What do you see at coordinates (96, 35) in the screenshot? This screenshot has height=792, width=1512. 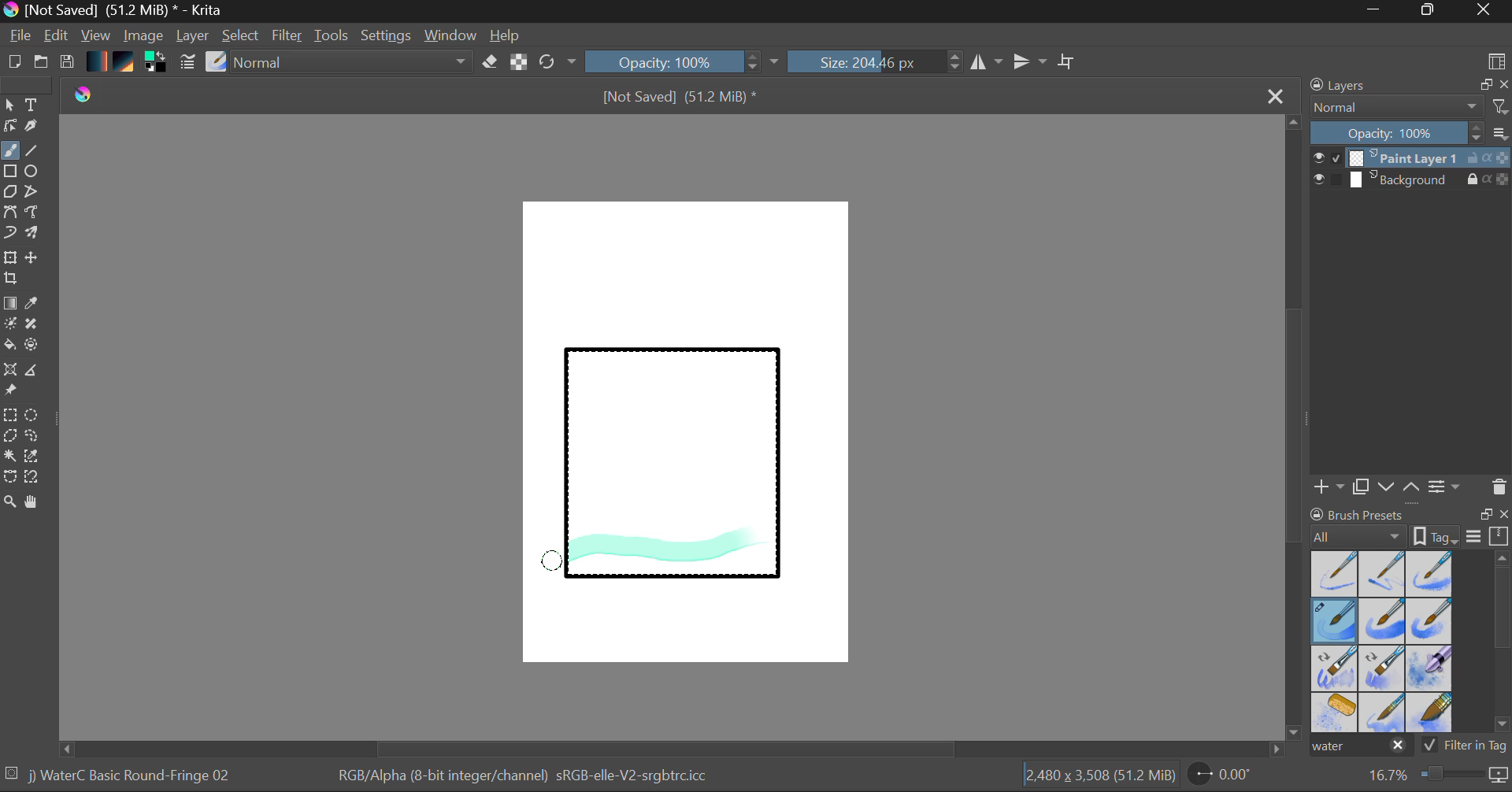 I see `View` at bounding box center [96, 35].